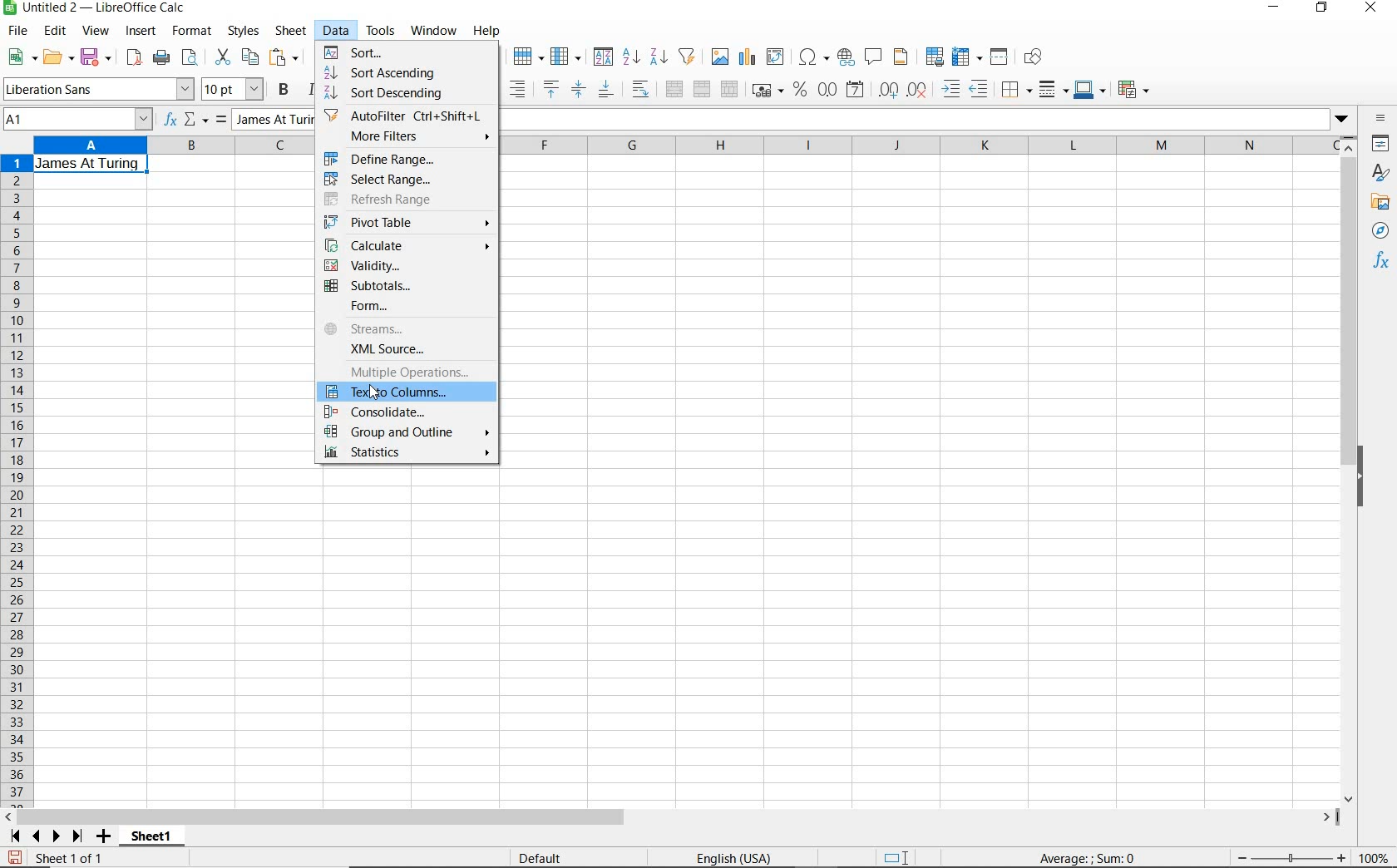 This screenshot has width=1397, height=868. What do you see at coordinates (566, 56) in the screenshot?
I see `column` at bounding box center [566, 56].